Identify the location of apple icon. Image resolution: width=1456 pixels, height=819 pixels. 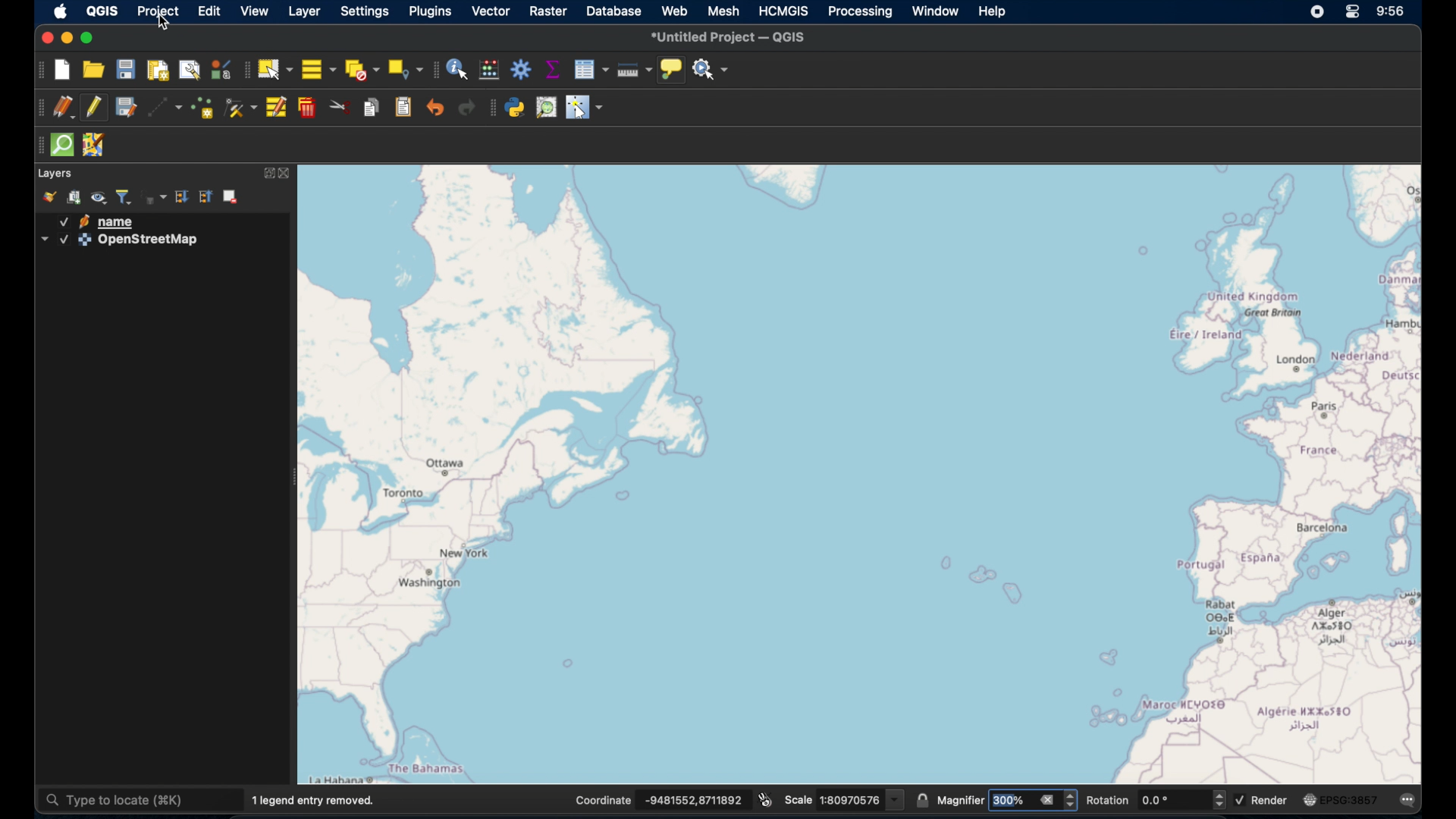
(61, 12).